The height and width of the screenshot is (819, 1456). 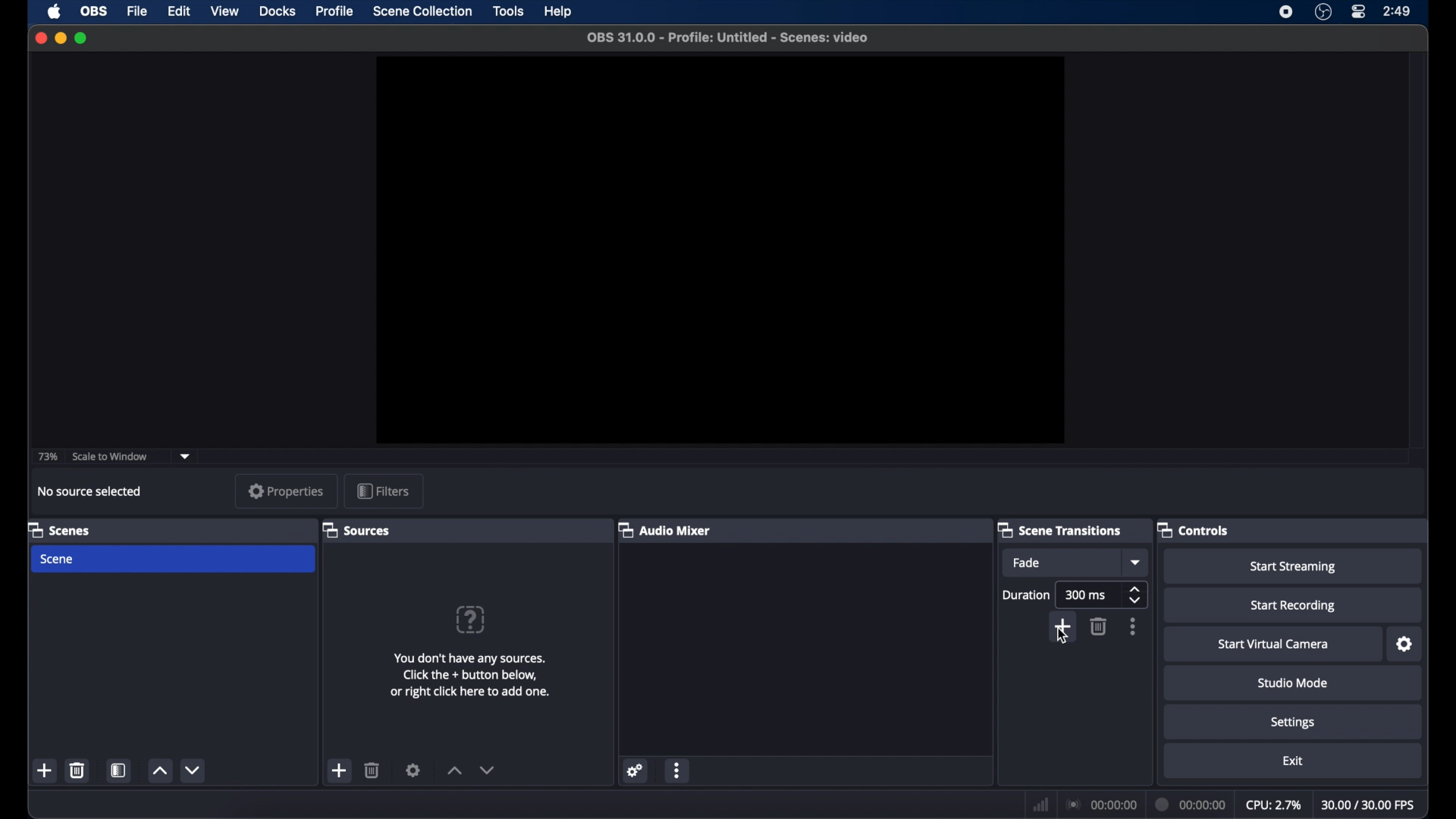 What do you see at coordinates (1027, 595) in the screenshot?
I see `duration` at bounding box center [1027, 595].